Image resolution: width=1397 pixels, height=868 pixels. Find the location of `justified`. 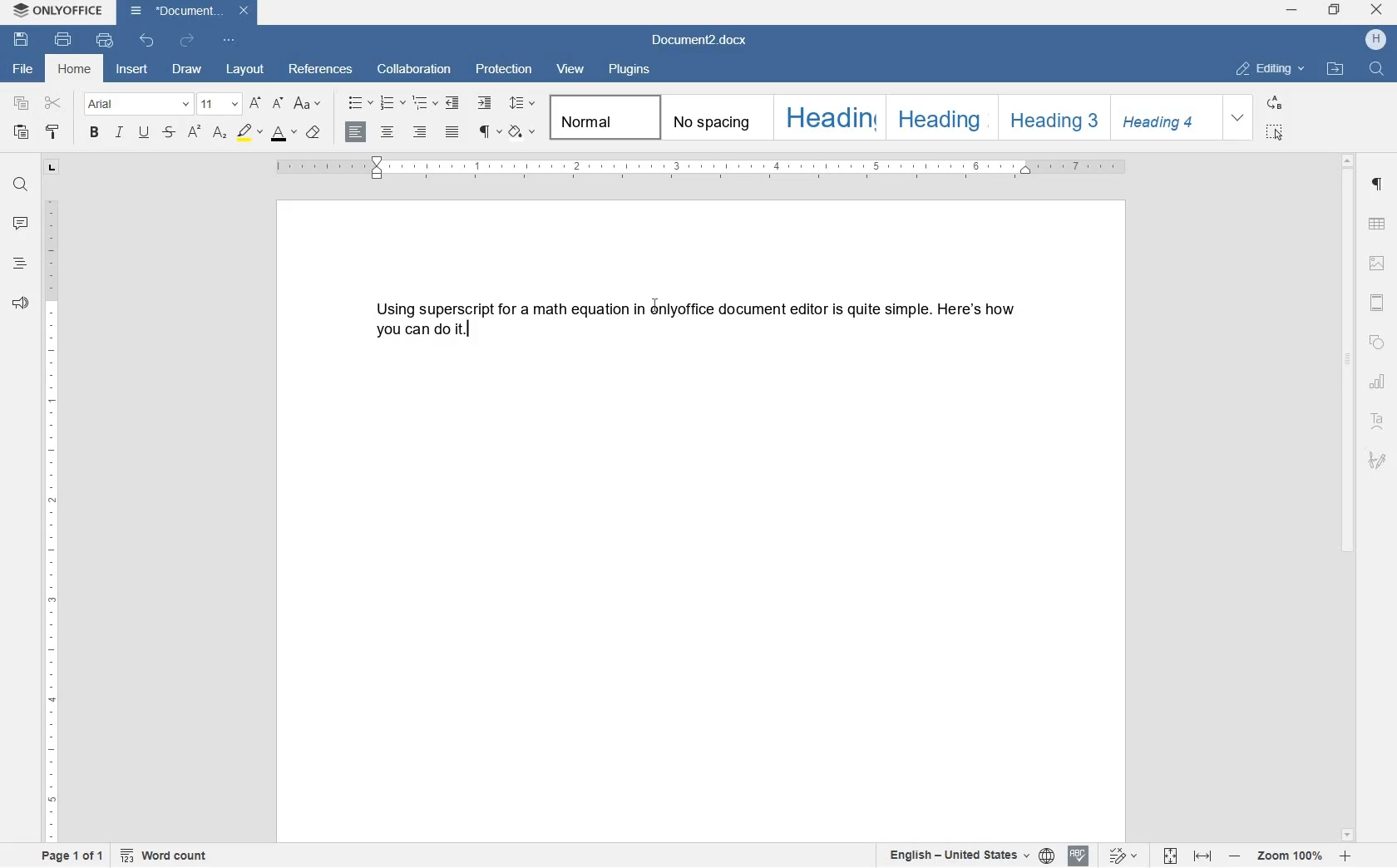

justified is located at coordinates (453, 132).